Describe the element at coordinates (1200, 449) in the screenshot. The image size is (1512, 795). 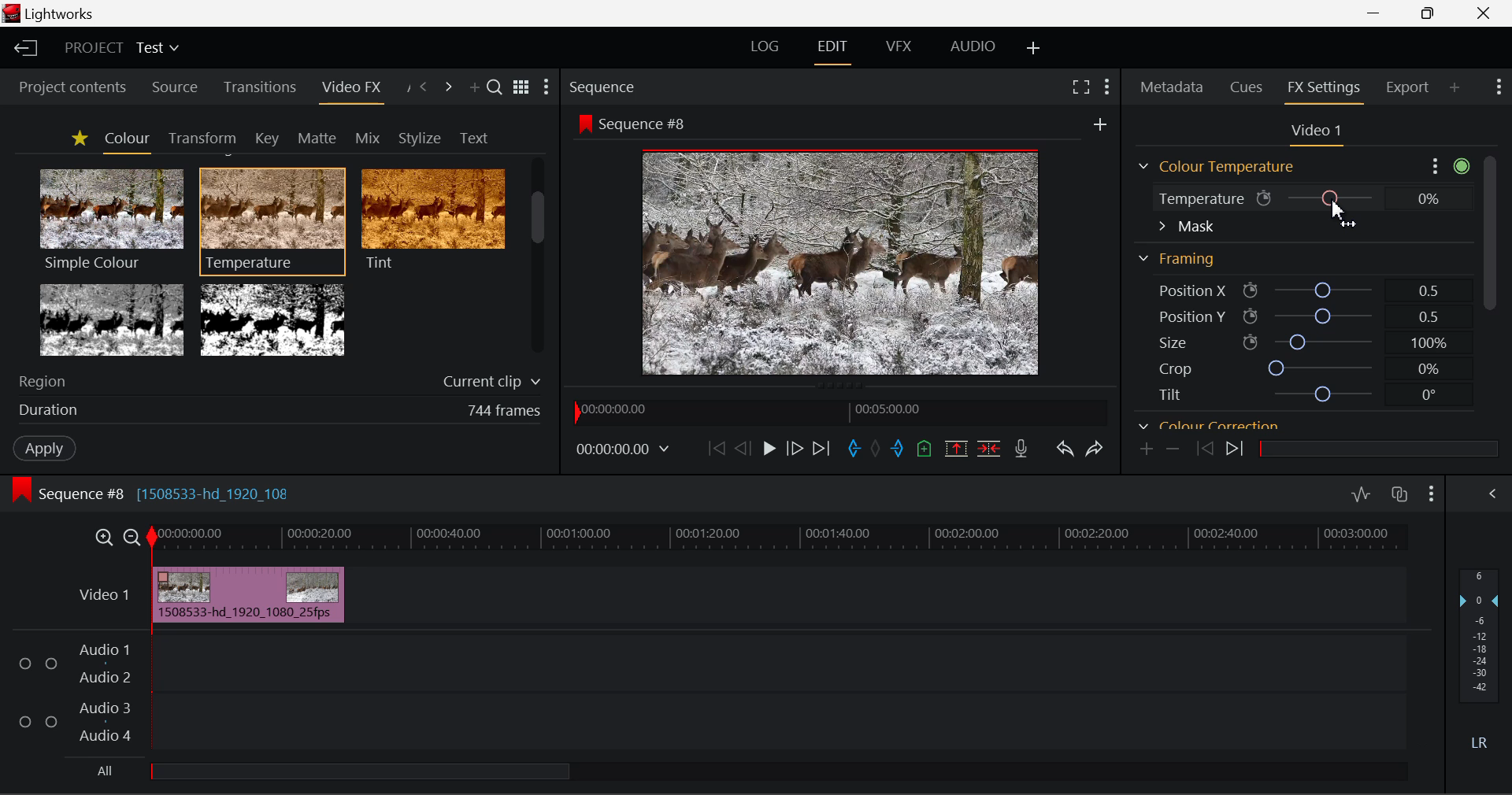
I see `Previous keyframe` at that location.